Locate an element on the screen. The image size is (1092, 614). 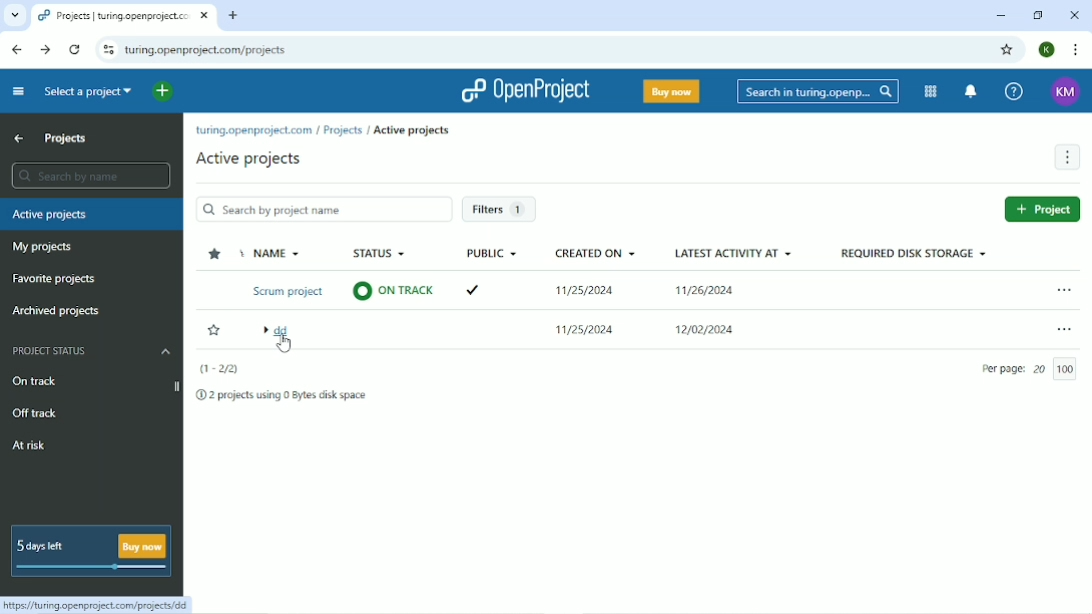
Sort by favorites is located at coordinates (212, 255).